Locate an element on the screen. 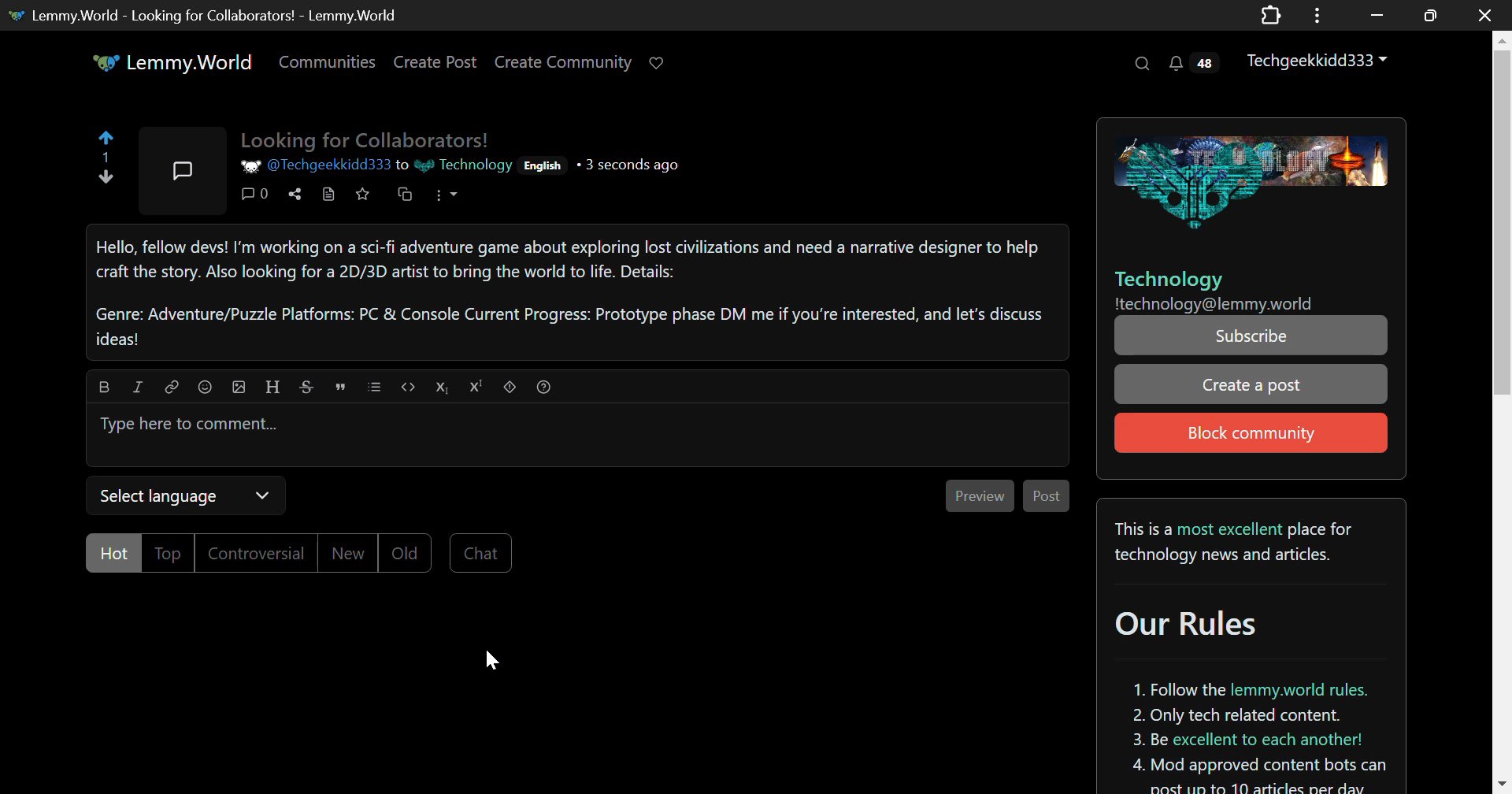 The image size is (1512, 794). Create Community is located at coordinates (566, 63).